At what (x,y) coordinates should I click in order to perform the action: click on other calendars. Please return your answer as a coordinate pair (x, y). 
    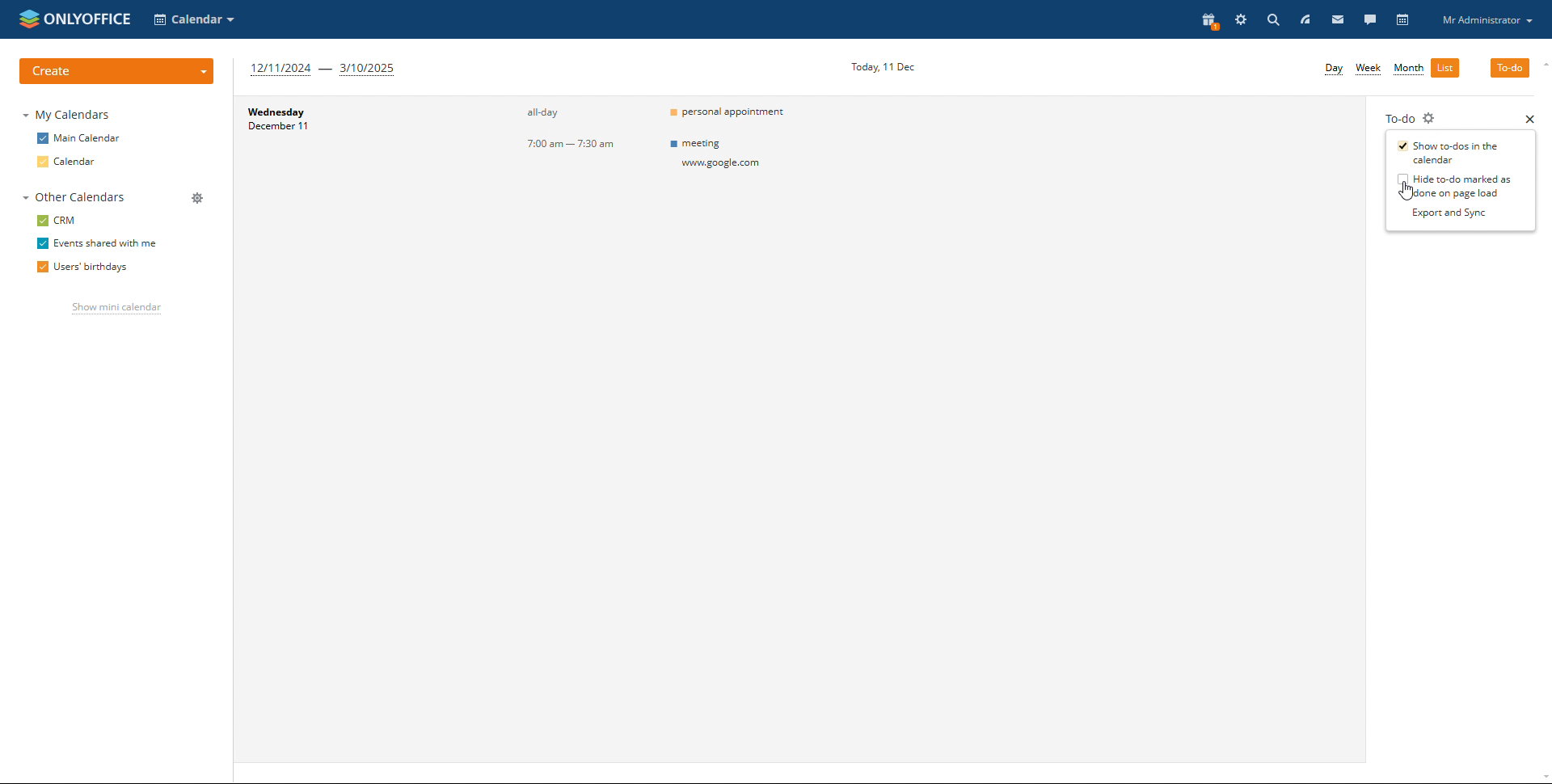
    Looking at the image, I should click on (70, 198).